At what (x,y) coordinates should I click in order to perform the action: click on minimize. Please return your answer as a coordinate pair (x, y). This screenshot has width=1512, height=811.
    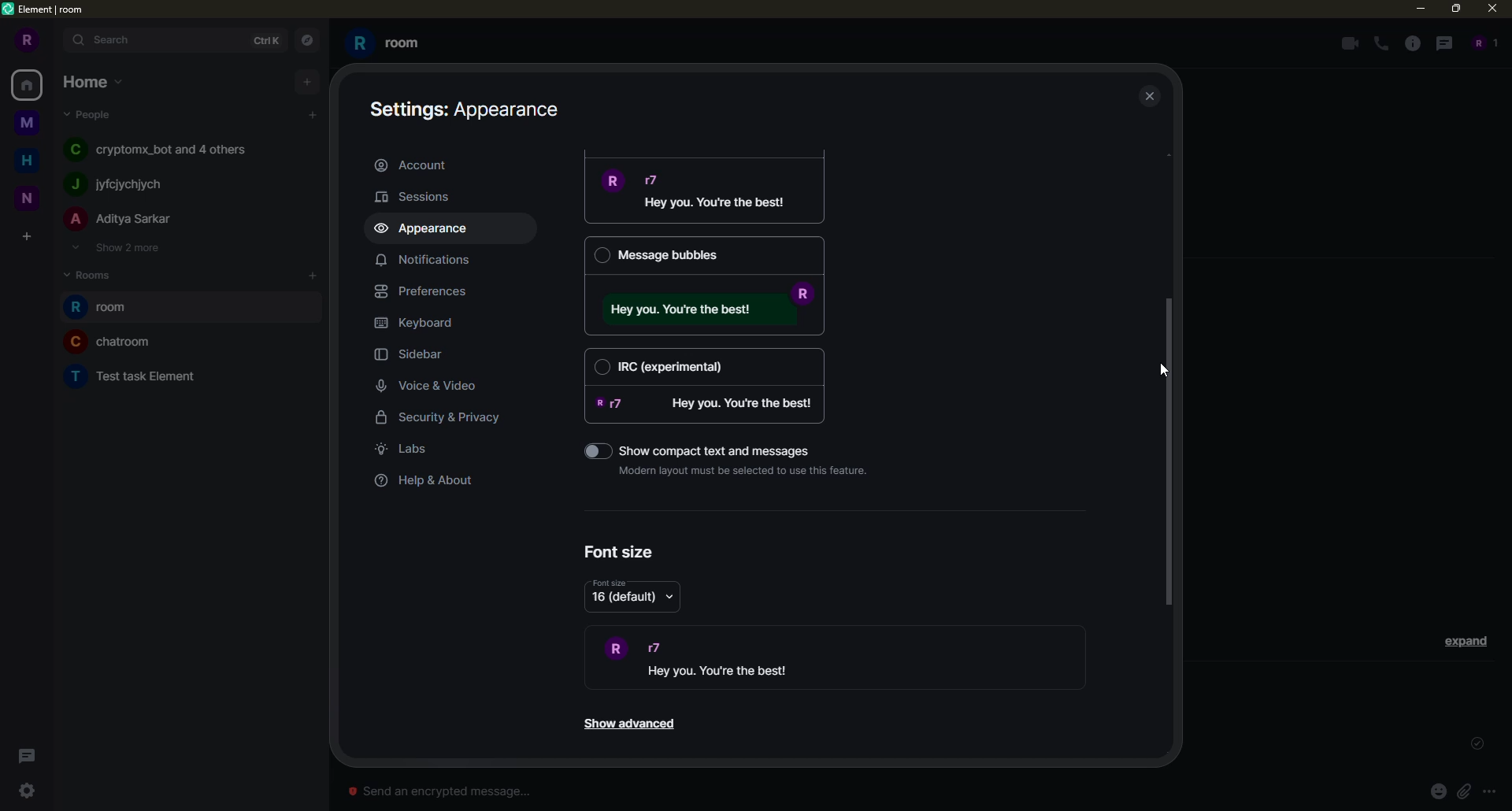
    Looking at the image, I should click on (1415, 8).